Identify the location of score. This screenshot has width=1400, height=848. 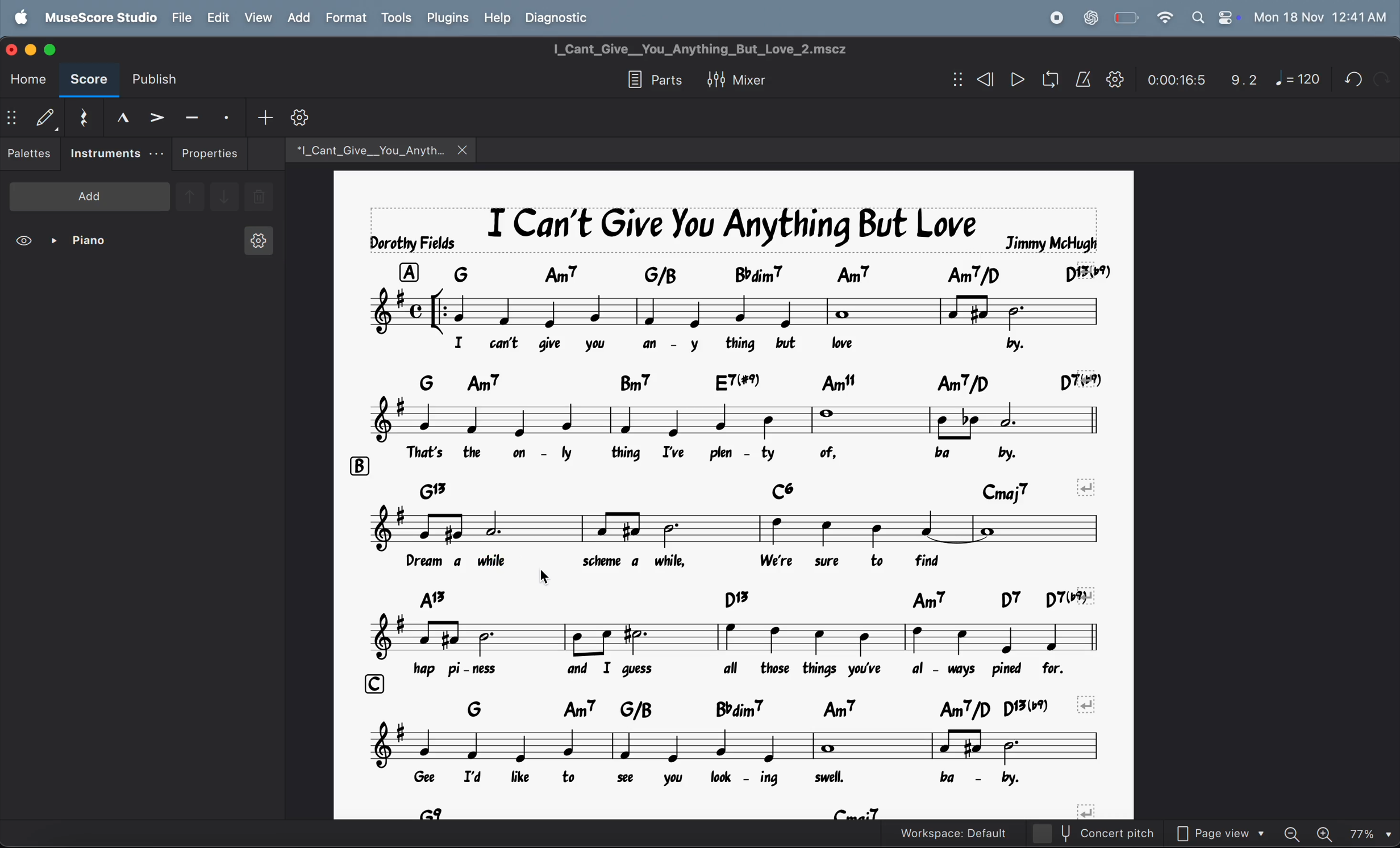
(89, 82).